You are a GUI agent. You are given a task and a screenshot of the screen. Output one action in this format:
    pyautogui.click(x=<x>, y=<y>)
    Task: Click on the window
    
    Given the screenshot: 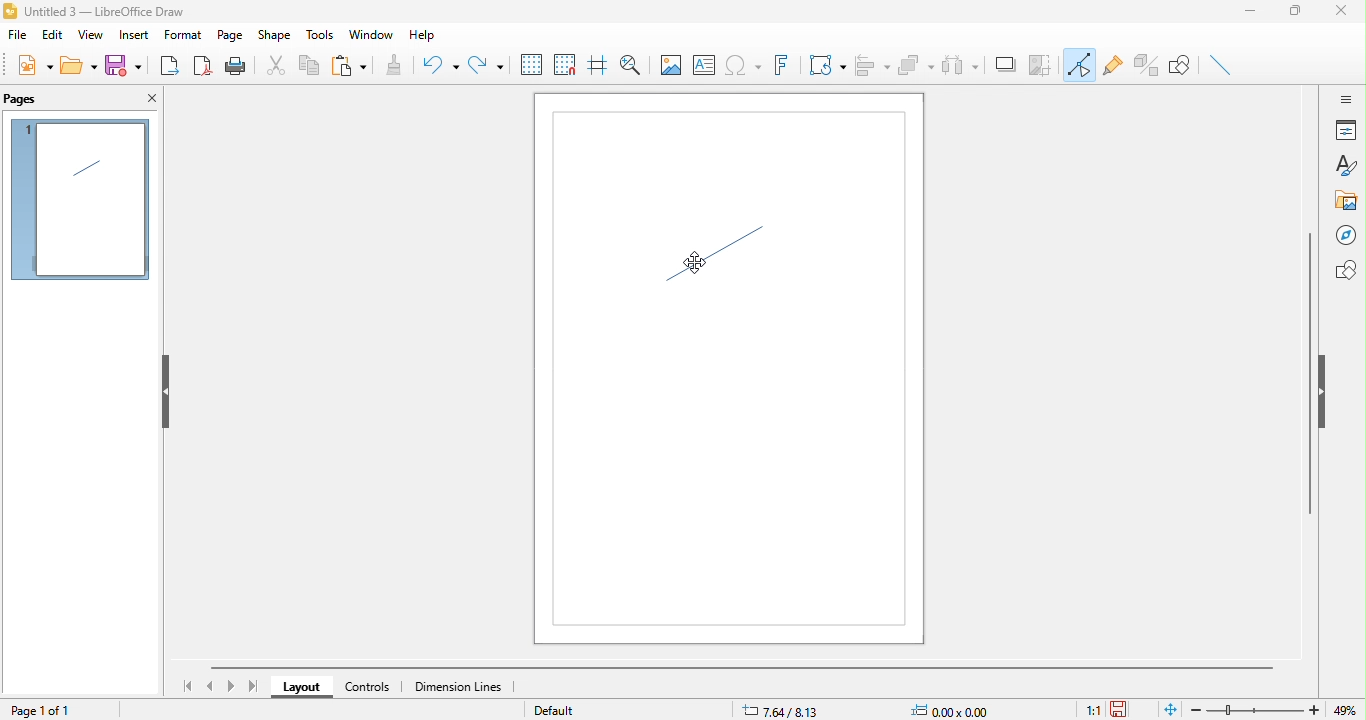 What is the action you would take?
    pyautogui.click(x=368, y=36)
    